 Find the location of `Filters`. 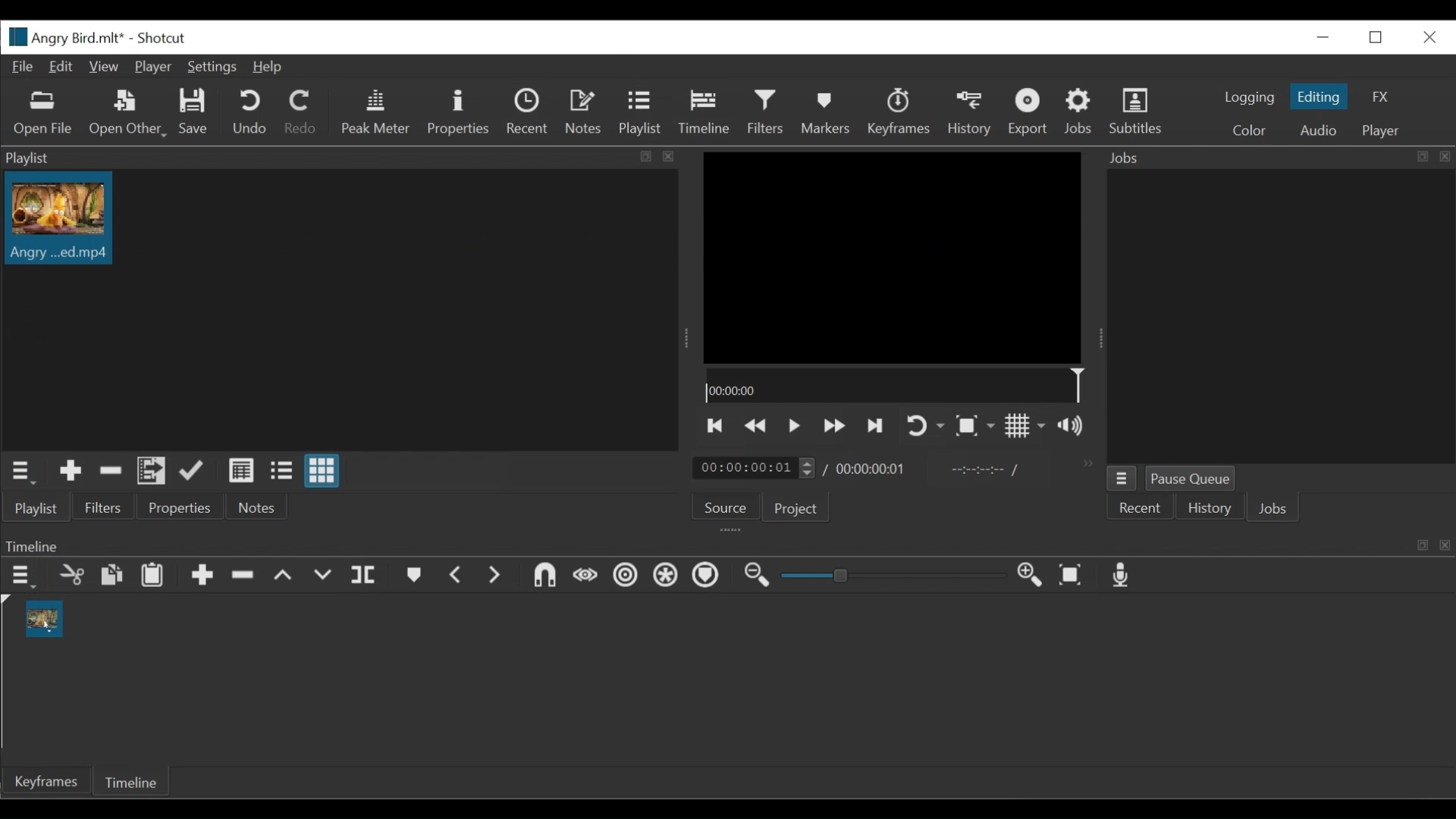

Filters is located at coordinates (102, 507).